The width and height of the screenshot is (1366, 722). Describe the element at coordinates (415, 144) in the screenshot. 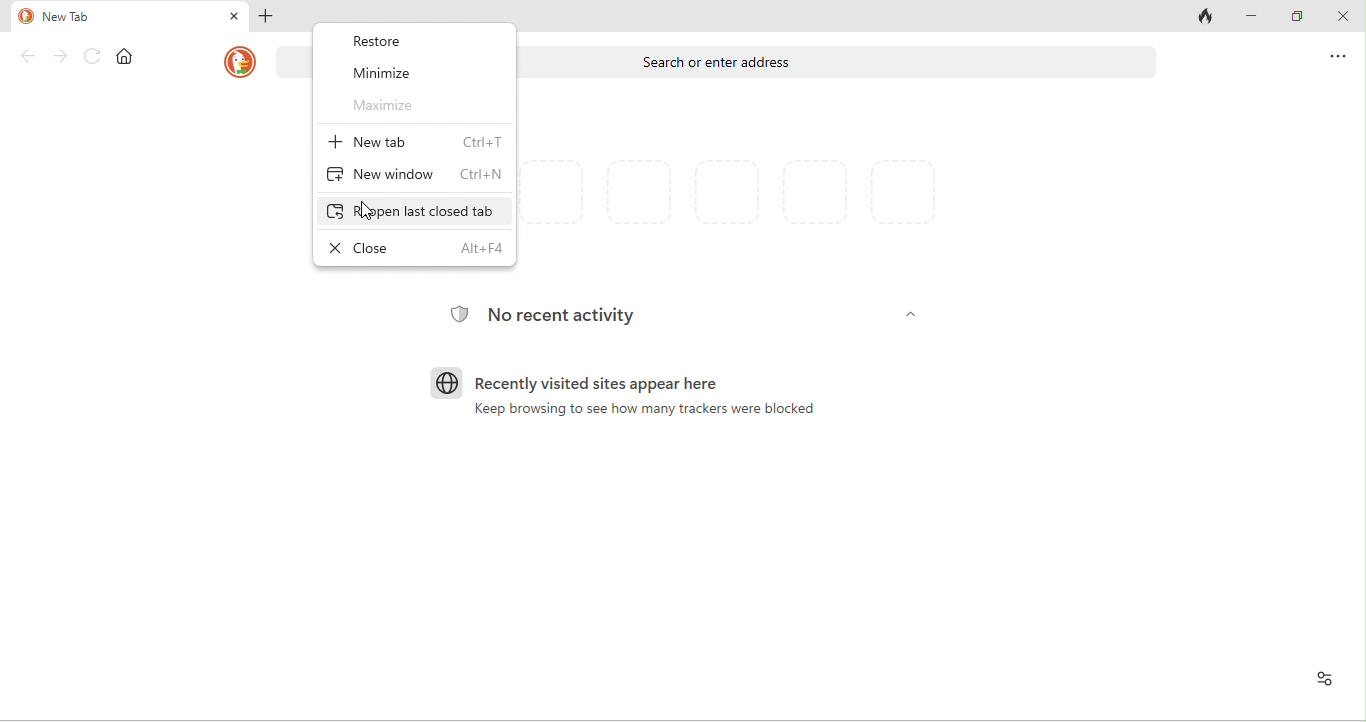

I see `new tab` at that location.